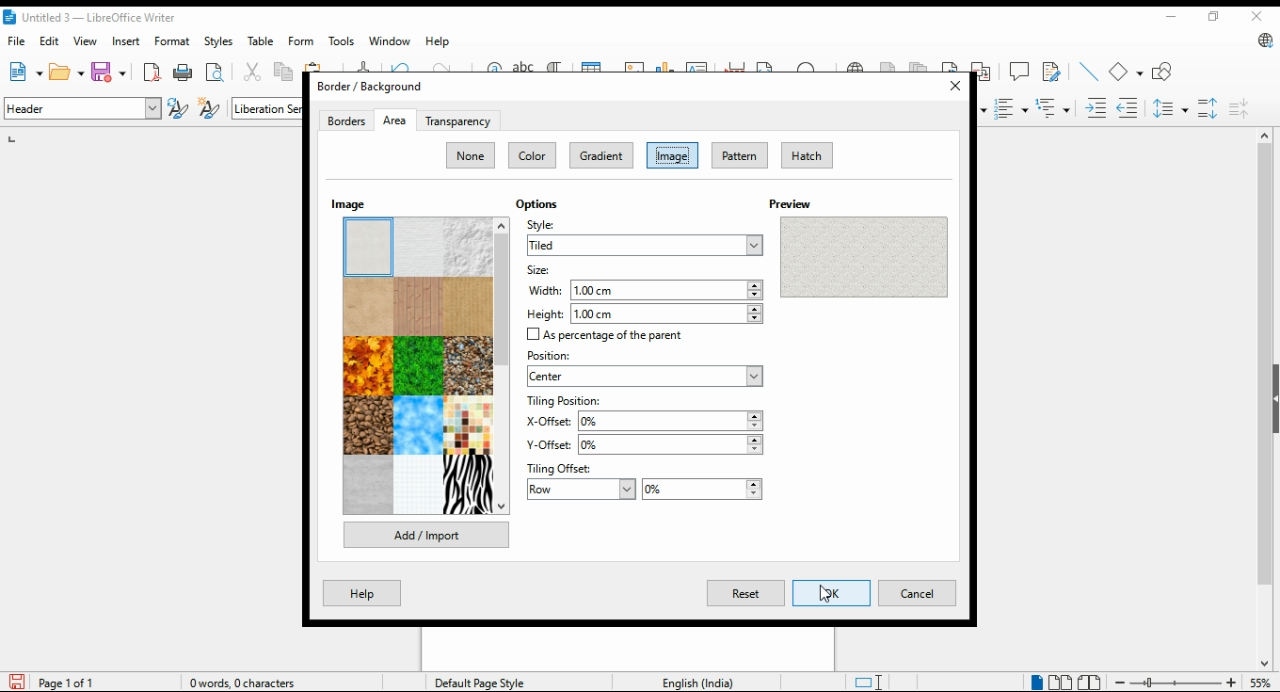 This screenshot has height=692, width=1280. What do you see at coordinates (419, 366) in the screenshot?
I see `image option 8` at bounding box center [419, 366].